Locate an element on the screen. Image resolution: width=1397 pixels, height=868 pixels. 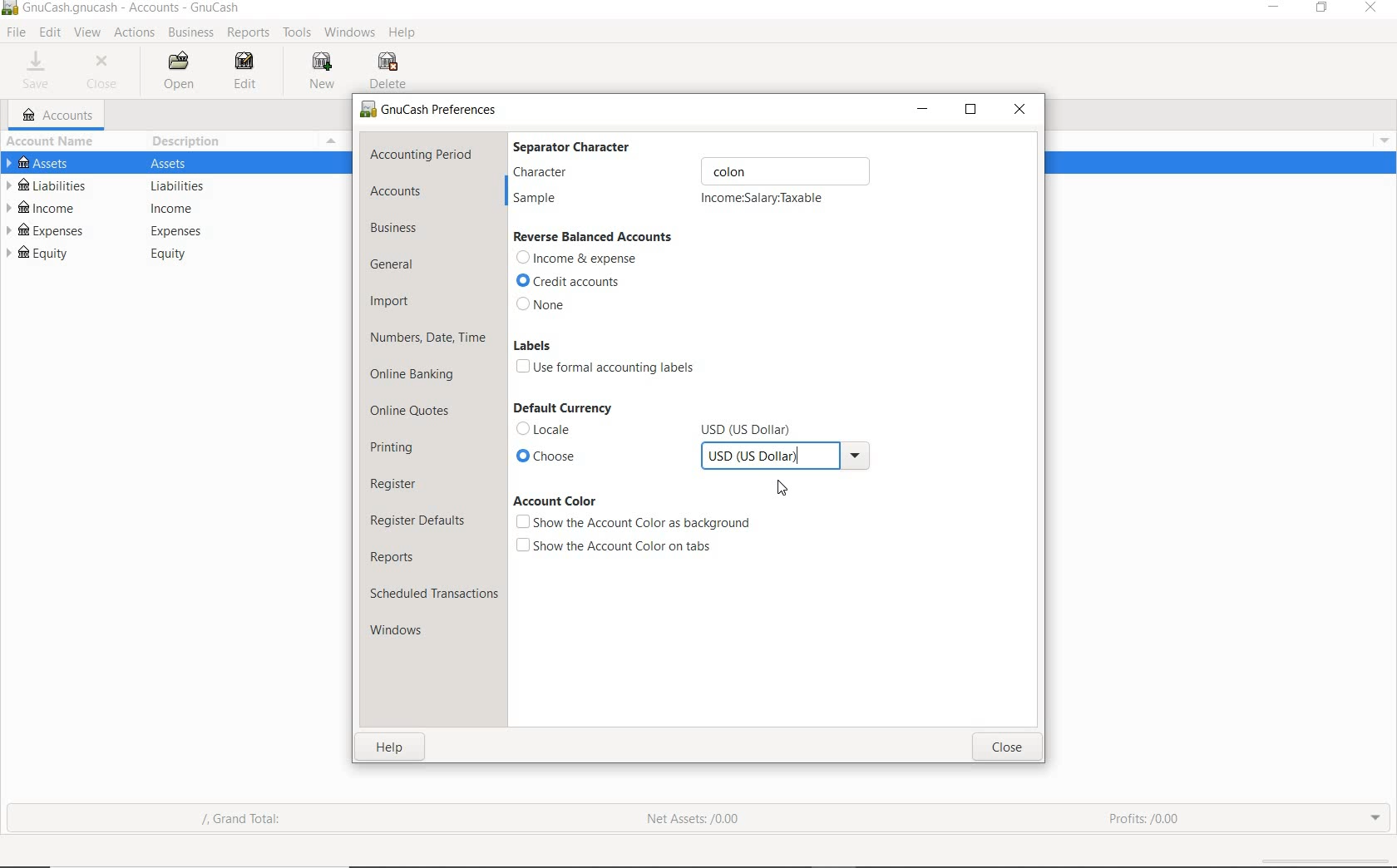
OPEN is located at coordinates (182, 72).